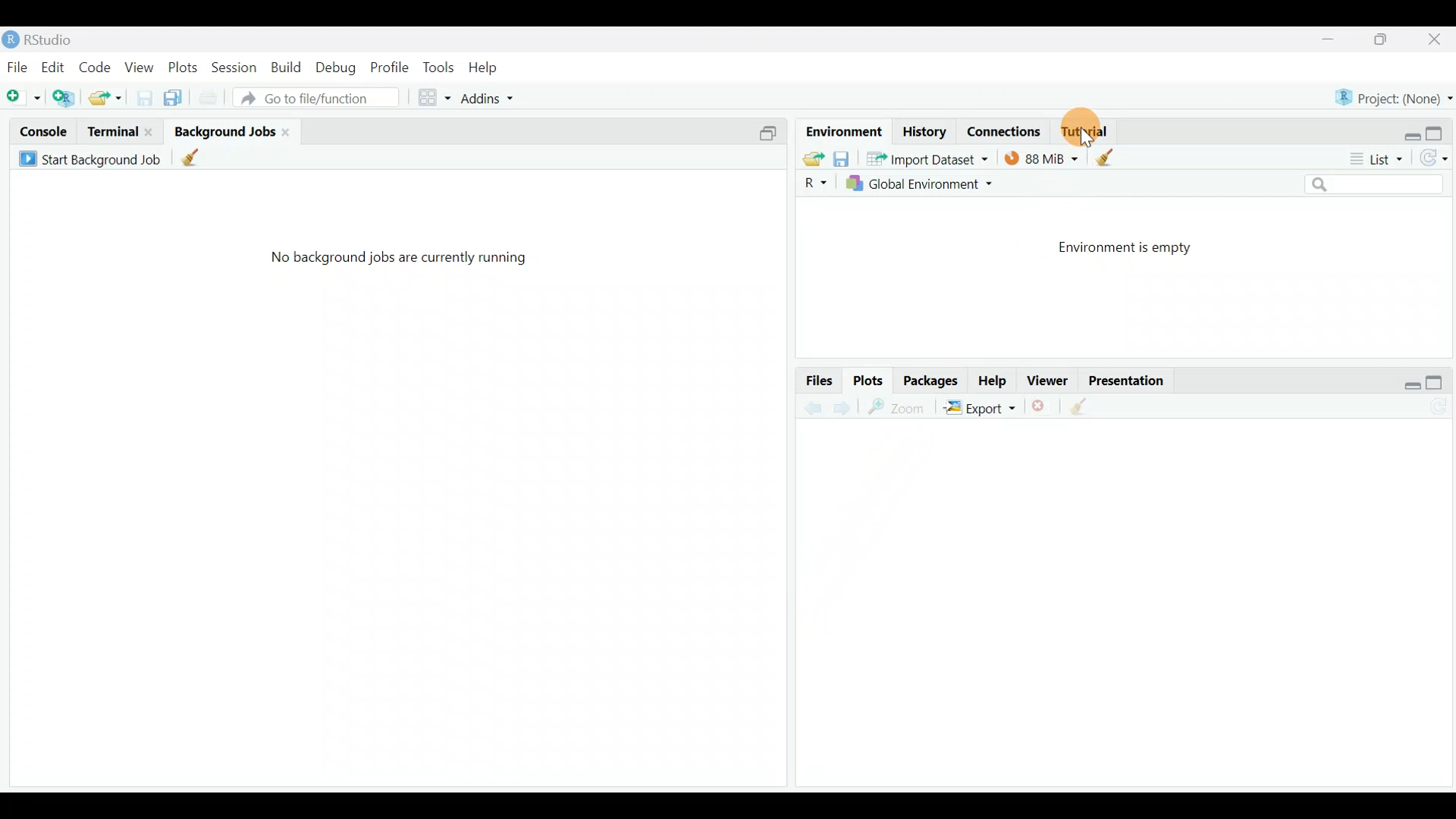 The image size is (1456, 819). What do you see at coordinates (285, 72) in the screenshot?
I see `Build` at bounding box center [285, 72].